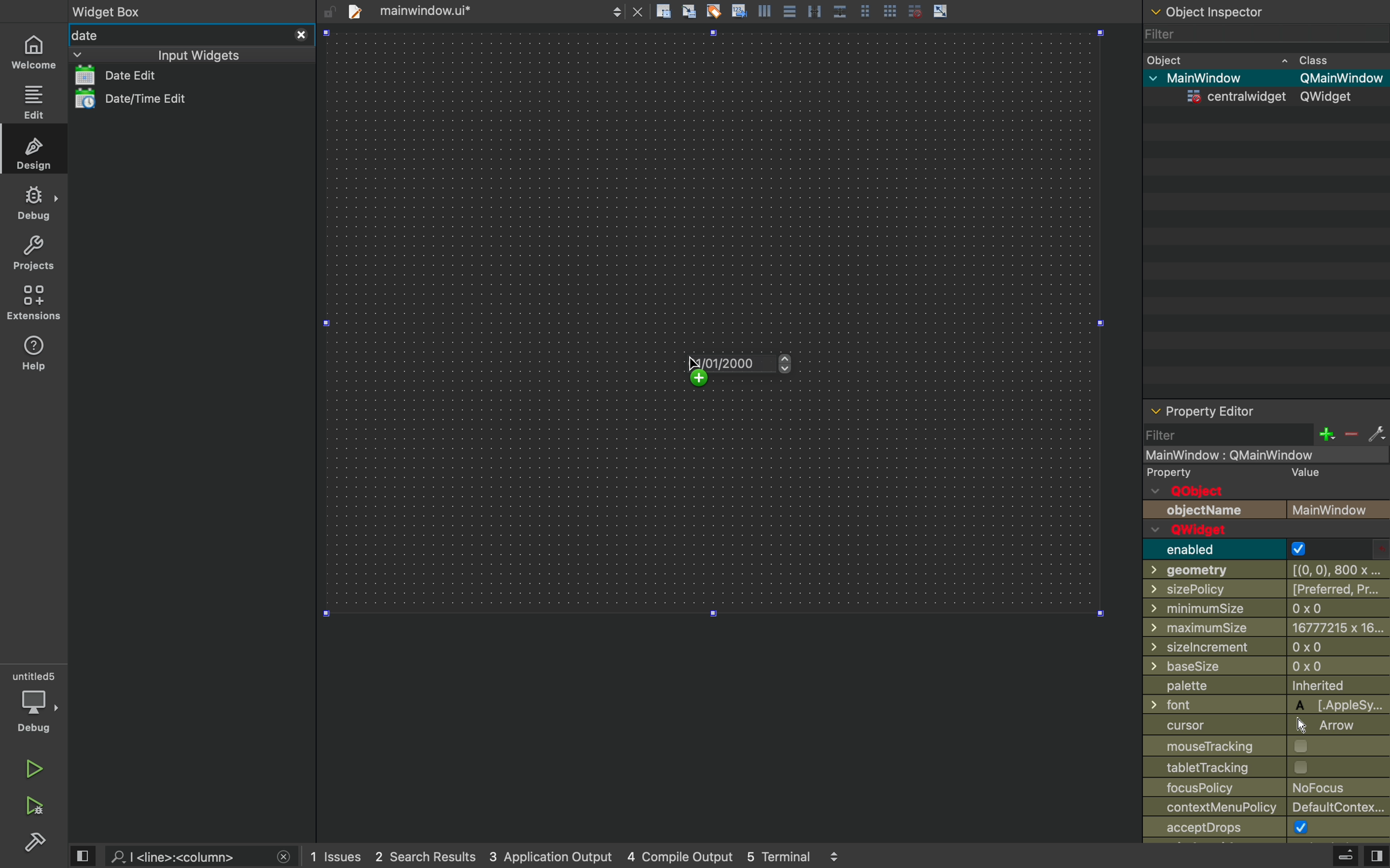 This screenshot has width=1390, height=868. What do you see at coordinates (1226, 434) in the screenshot?
I see `filter` at bounding box center [1226, 434].